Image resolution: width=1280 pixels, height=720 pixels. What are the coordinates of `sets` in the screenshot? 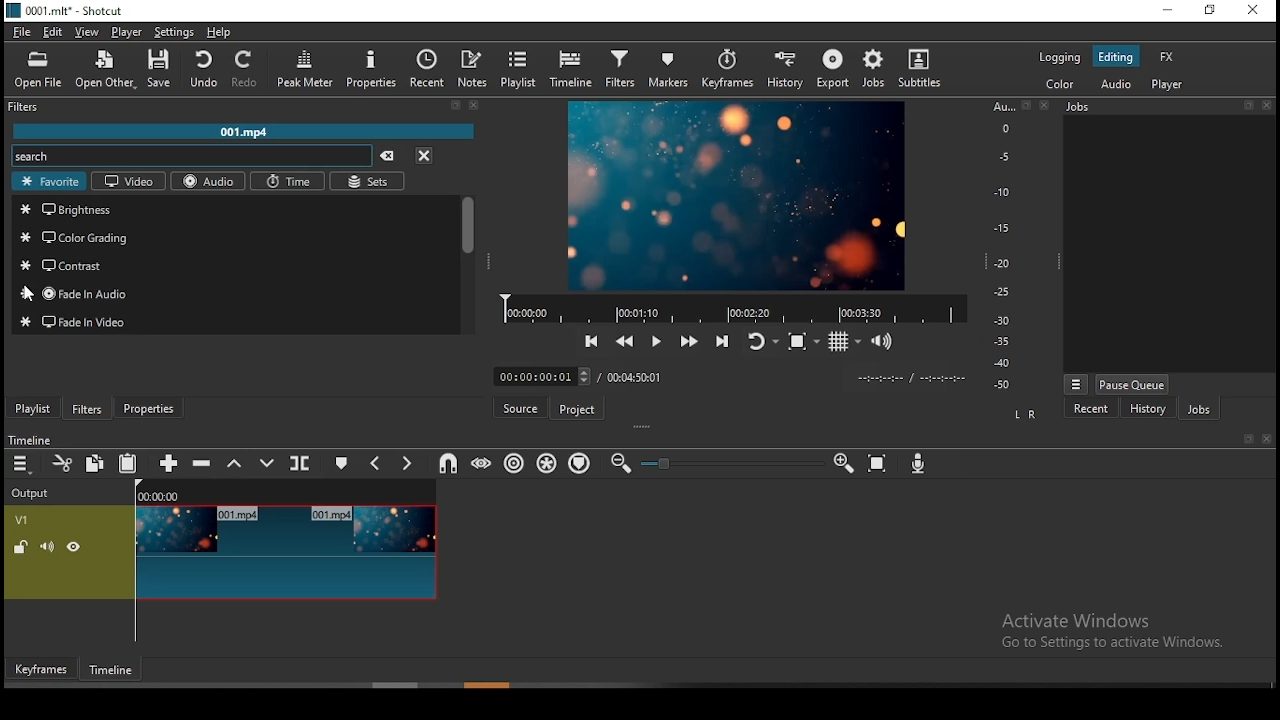 It's located at (370, 182).